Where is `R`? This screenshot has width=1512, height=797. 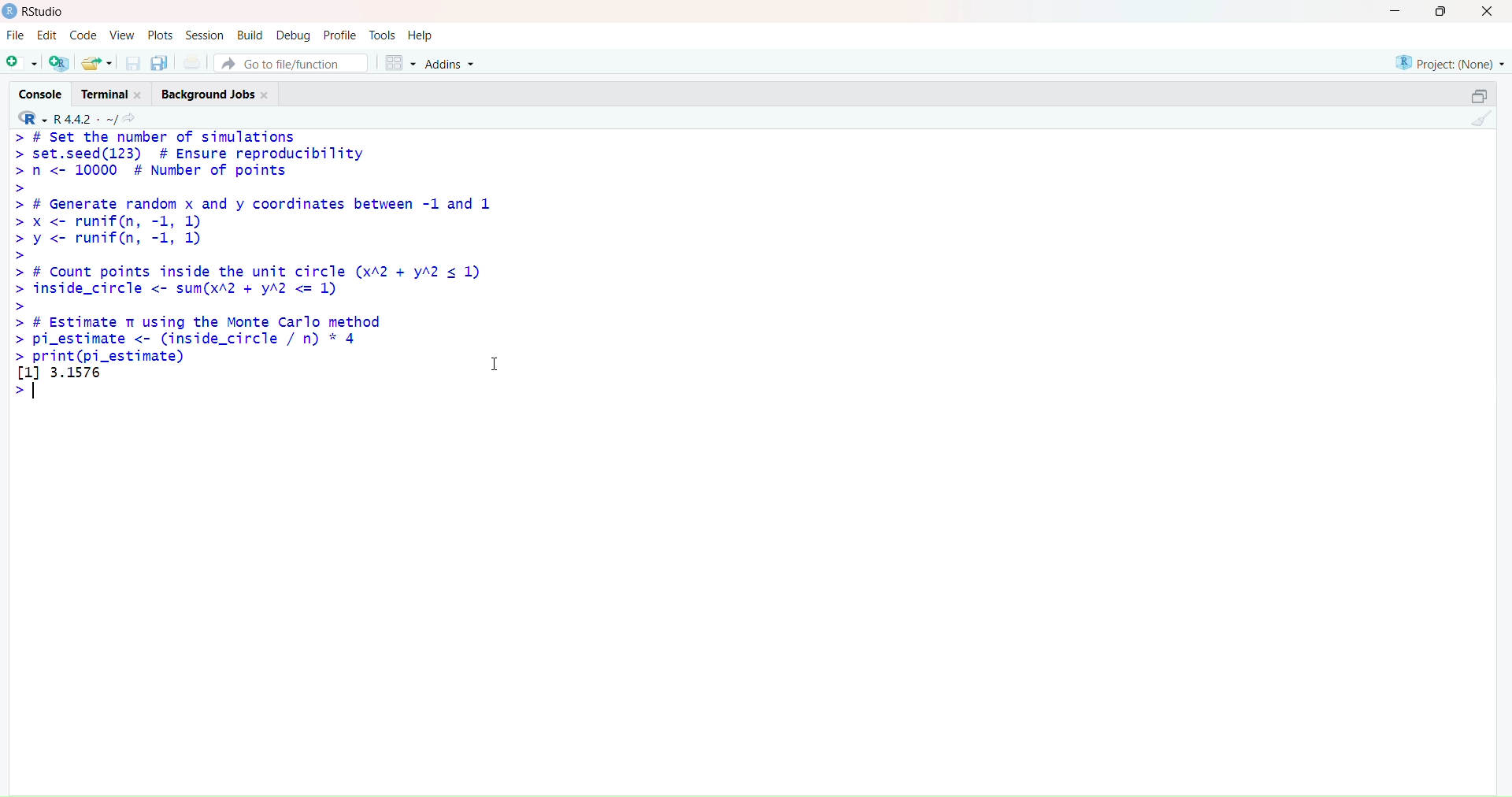
R is located at coordinates (32, 117).